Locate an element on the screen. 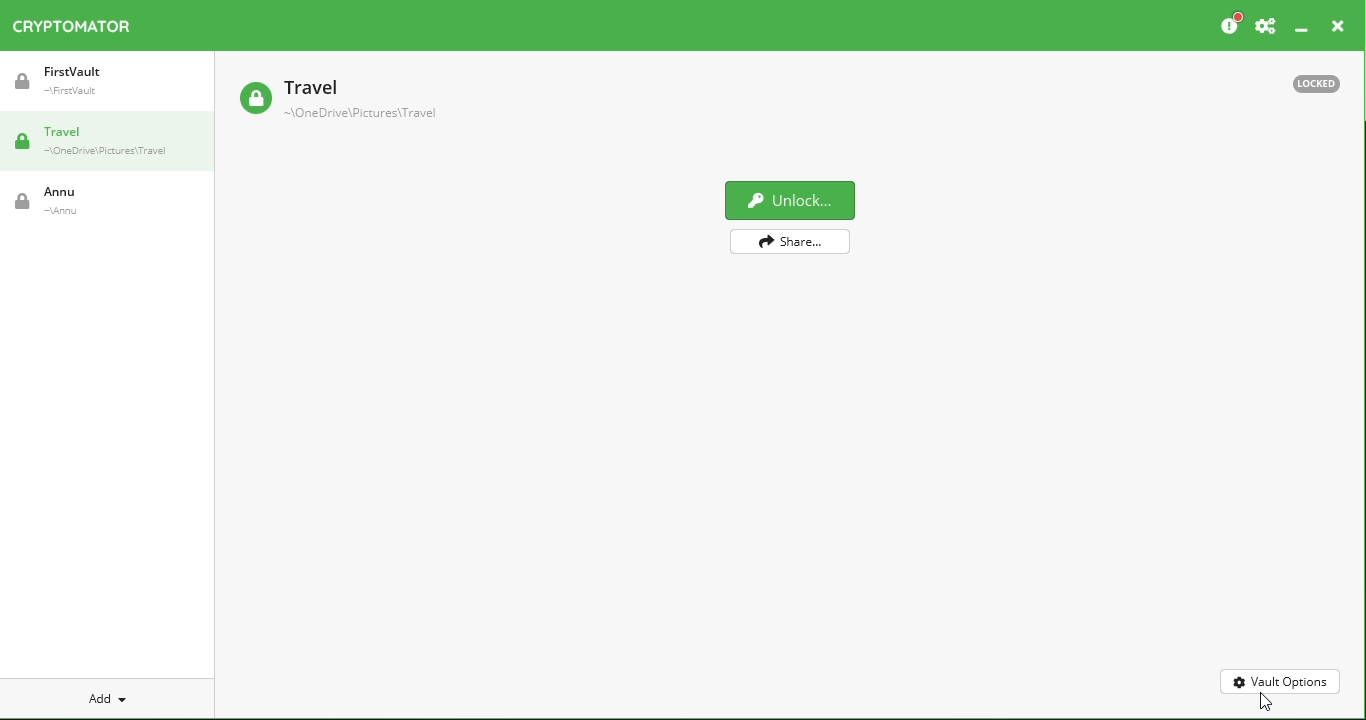 The width and height of the screenshot is (1366, 720). Locked is located at coordinates (1322, 83).